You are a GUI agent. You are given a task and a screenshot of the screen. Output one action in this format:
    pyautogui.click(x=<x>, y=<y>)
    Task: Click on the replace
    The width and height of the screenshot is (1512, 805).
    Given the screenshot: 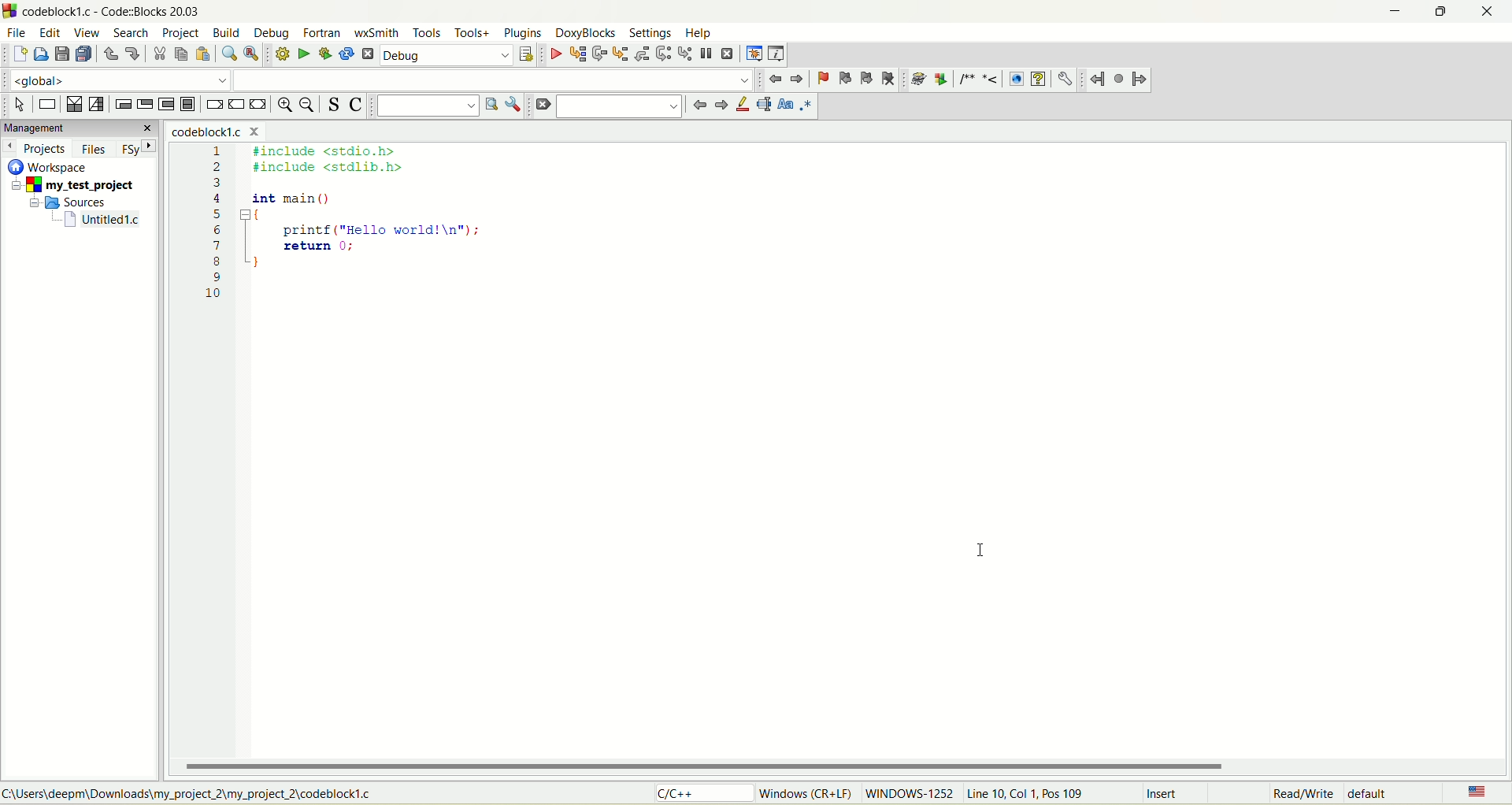 What is the action you would take?
    pyautogui.click(x=250, y=53)
    